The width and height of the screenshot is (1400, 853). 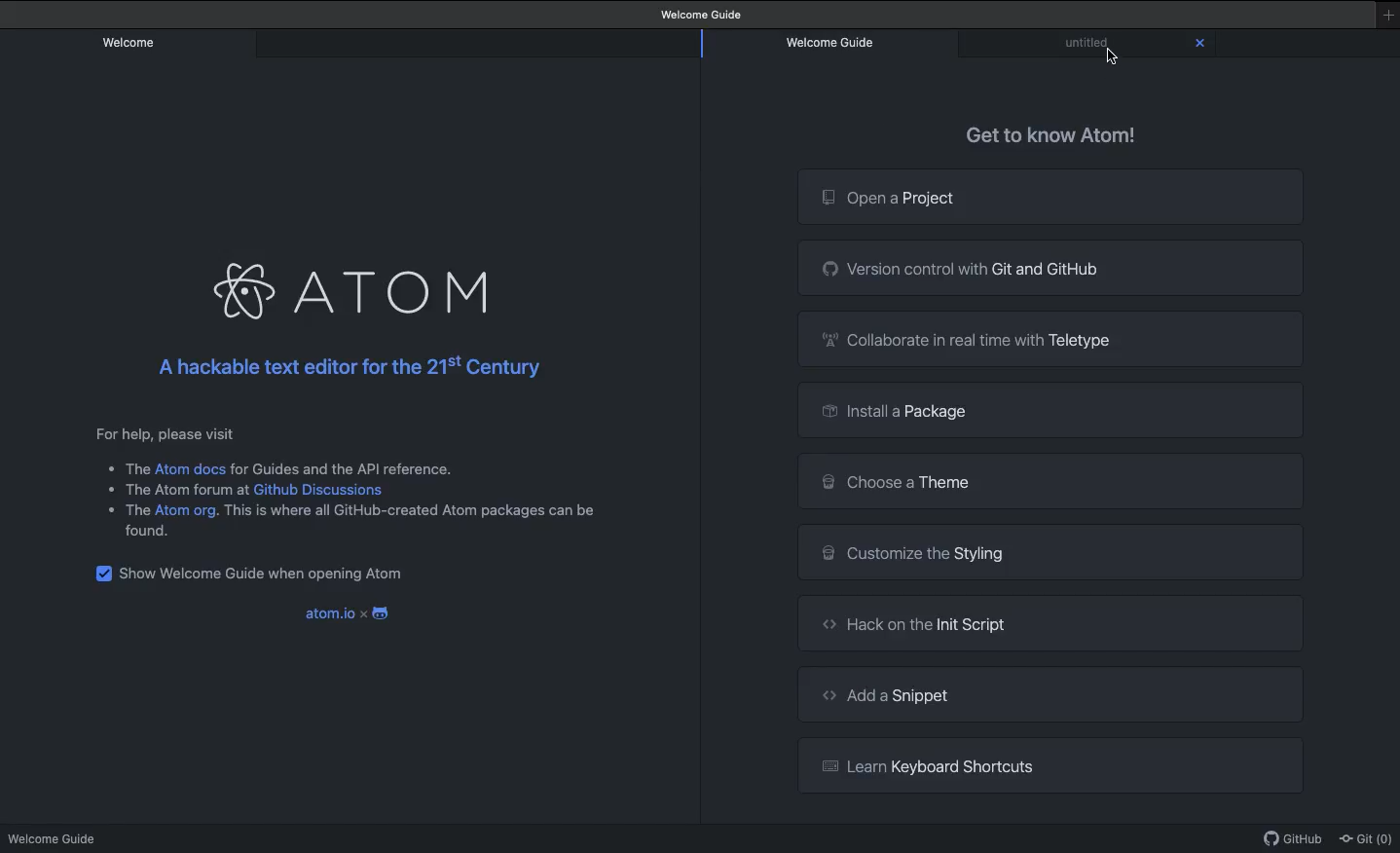 What do you see at coordinates (1053, 134) in the screenshot?
I see `Get to know Atom` at bounding box center [1053, 134].